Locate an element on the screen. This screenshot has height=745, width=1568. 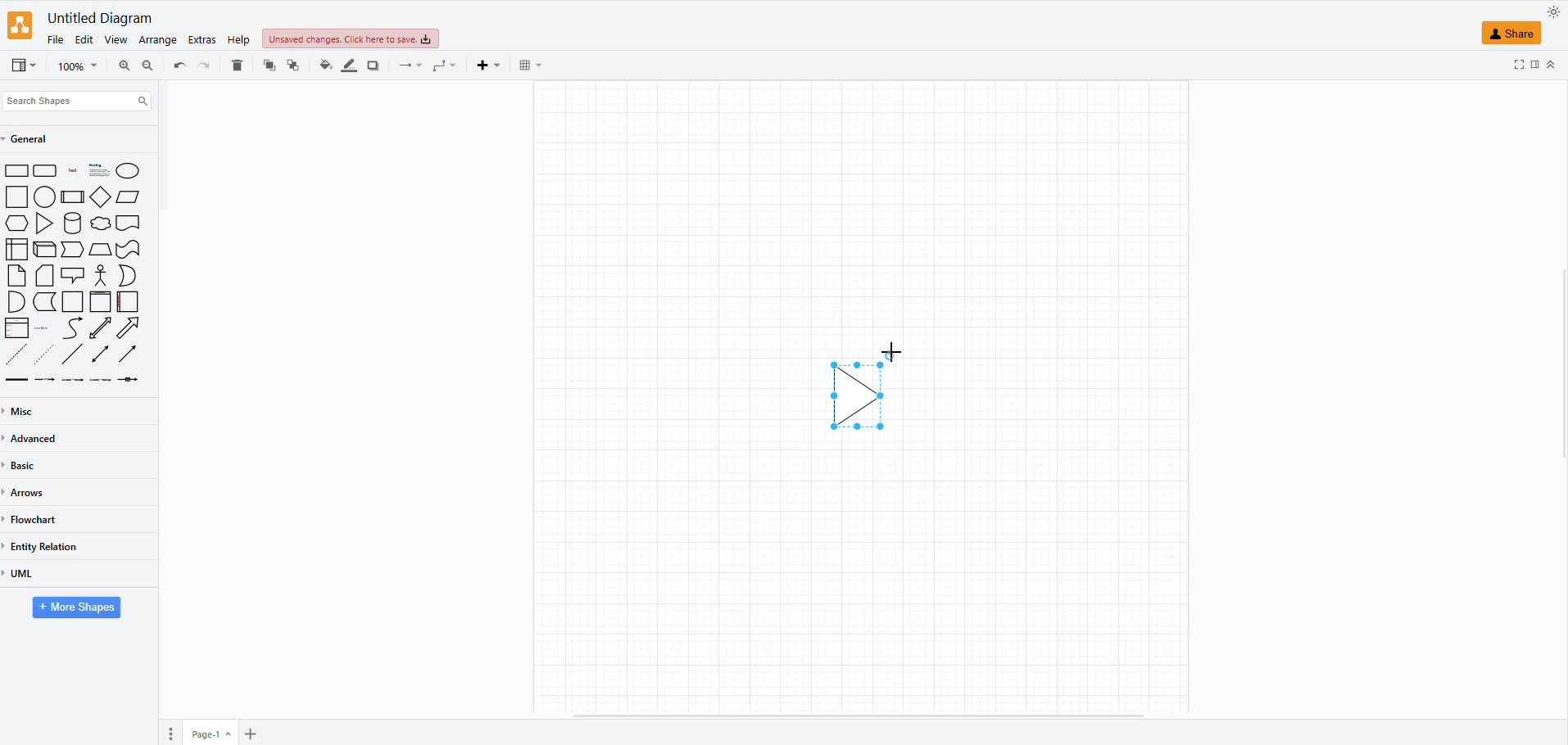
Title is located at coordinates (74, 171).